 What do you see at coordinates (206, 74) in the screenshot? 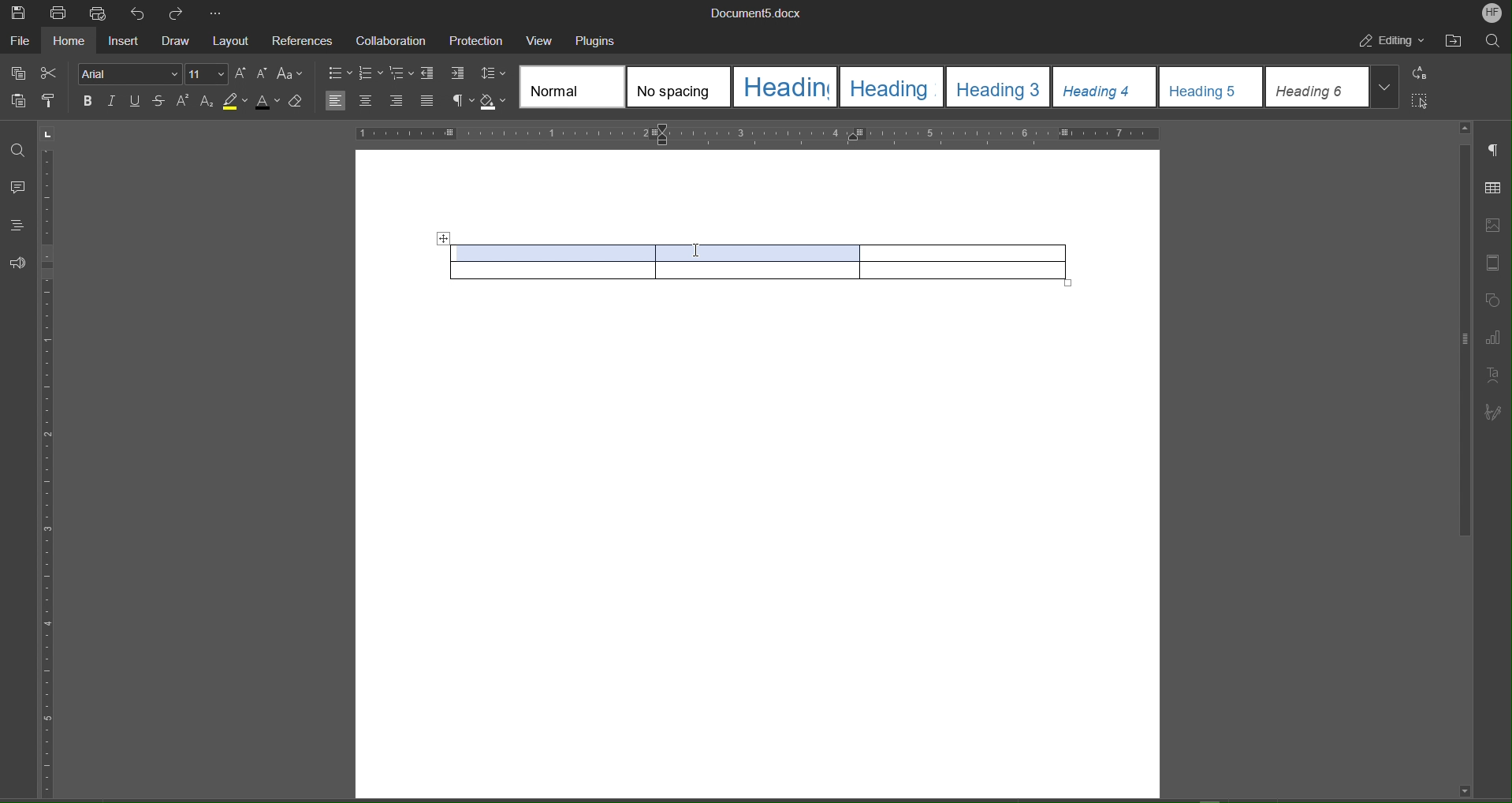
I see `Font Size` at bounding box center [206, 74].